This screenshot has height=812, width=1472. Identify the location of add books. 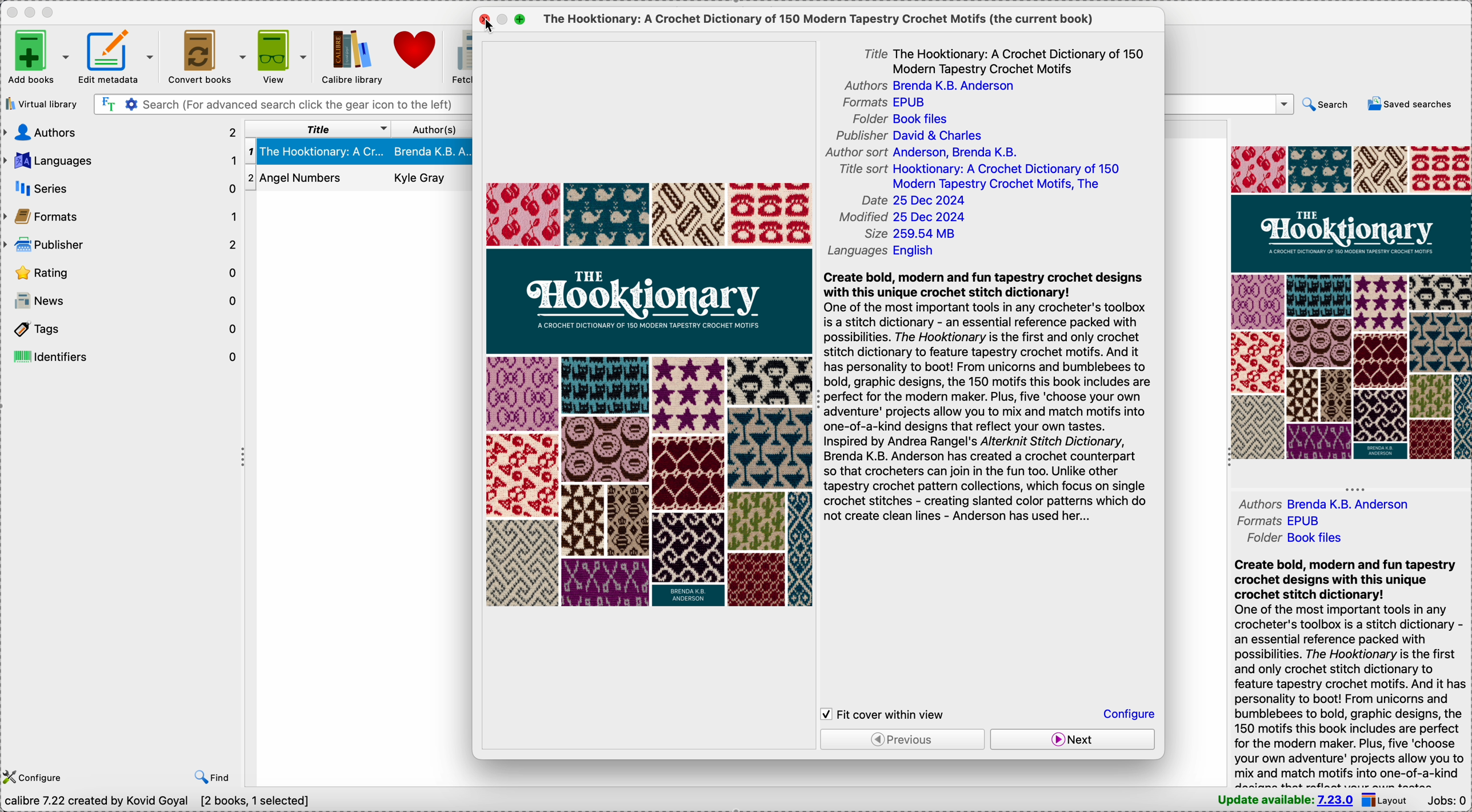
(38, 56).